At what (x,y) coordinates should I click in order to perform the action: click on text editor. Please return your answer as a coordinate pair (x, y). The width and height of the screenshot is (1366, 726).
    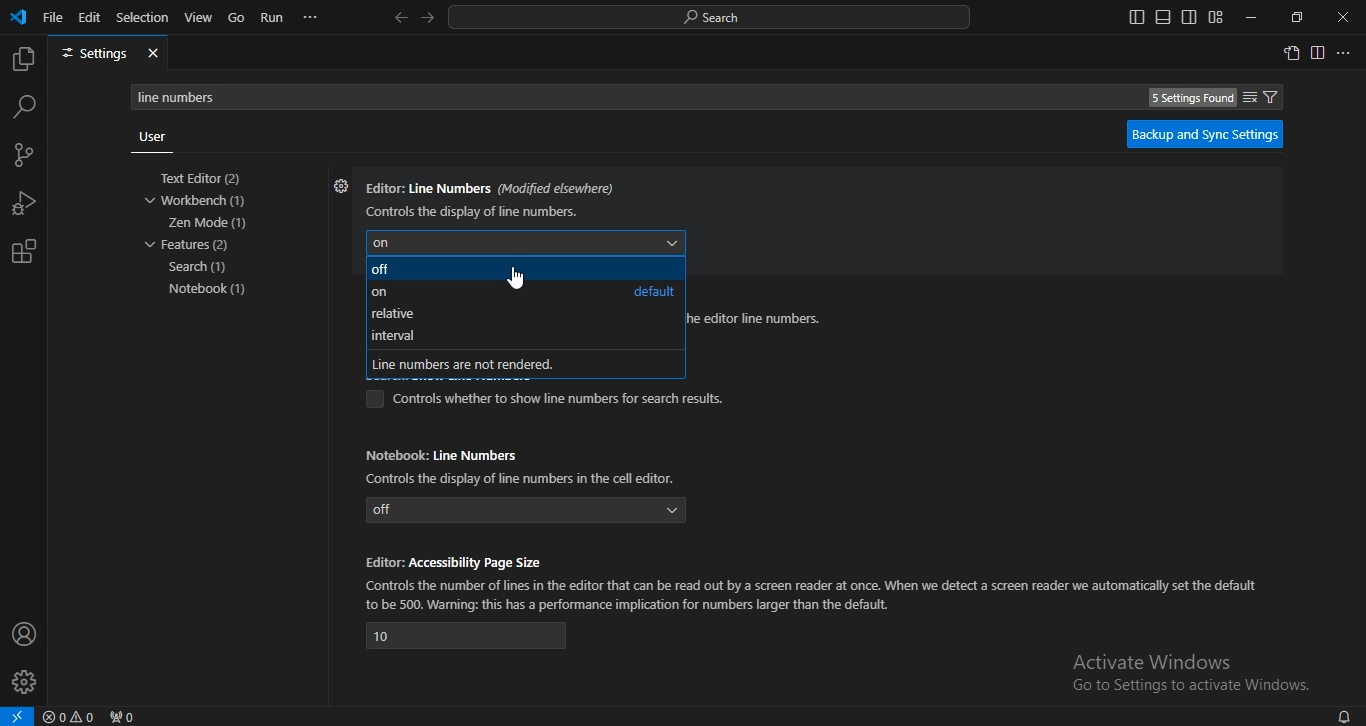
    Looking at the image, I should click on (206, 179).